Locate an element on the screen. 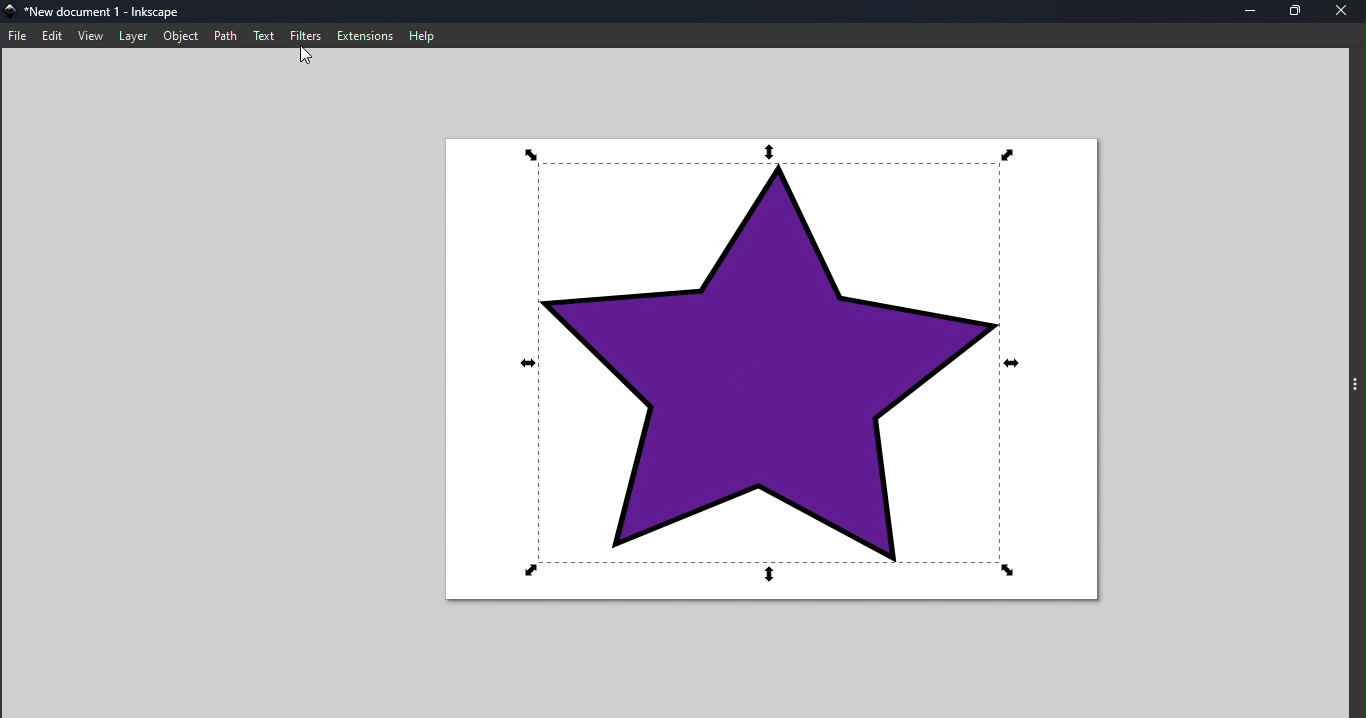 This screenshot has width=1366, height=718. Canvas is located at coordinates (768, 372).